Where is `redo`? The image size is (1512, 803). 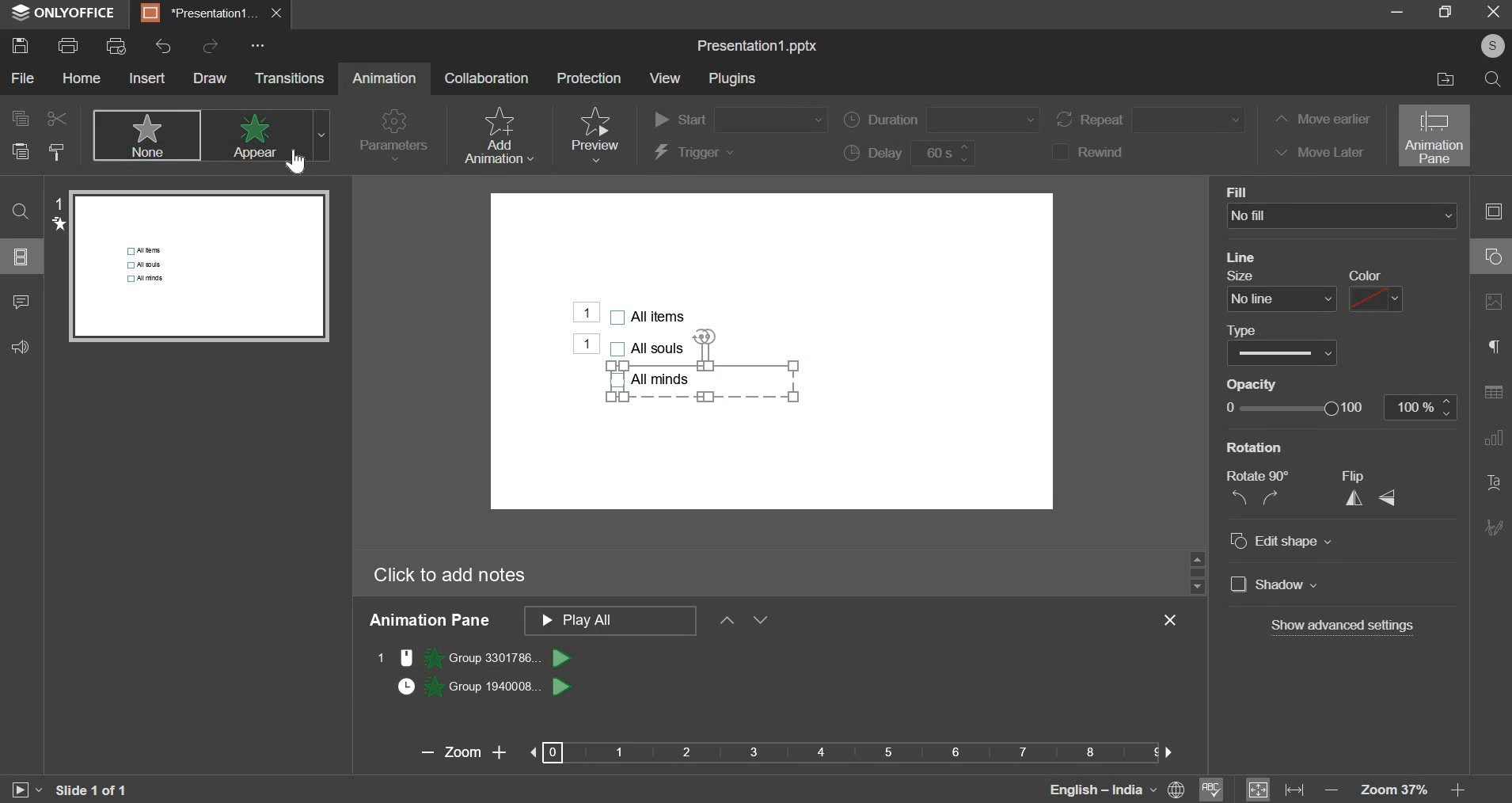
redo is located at coordinates (209, 44).